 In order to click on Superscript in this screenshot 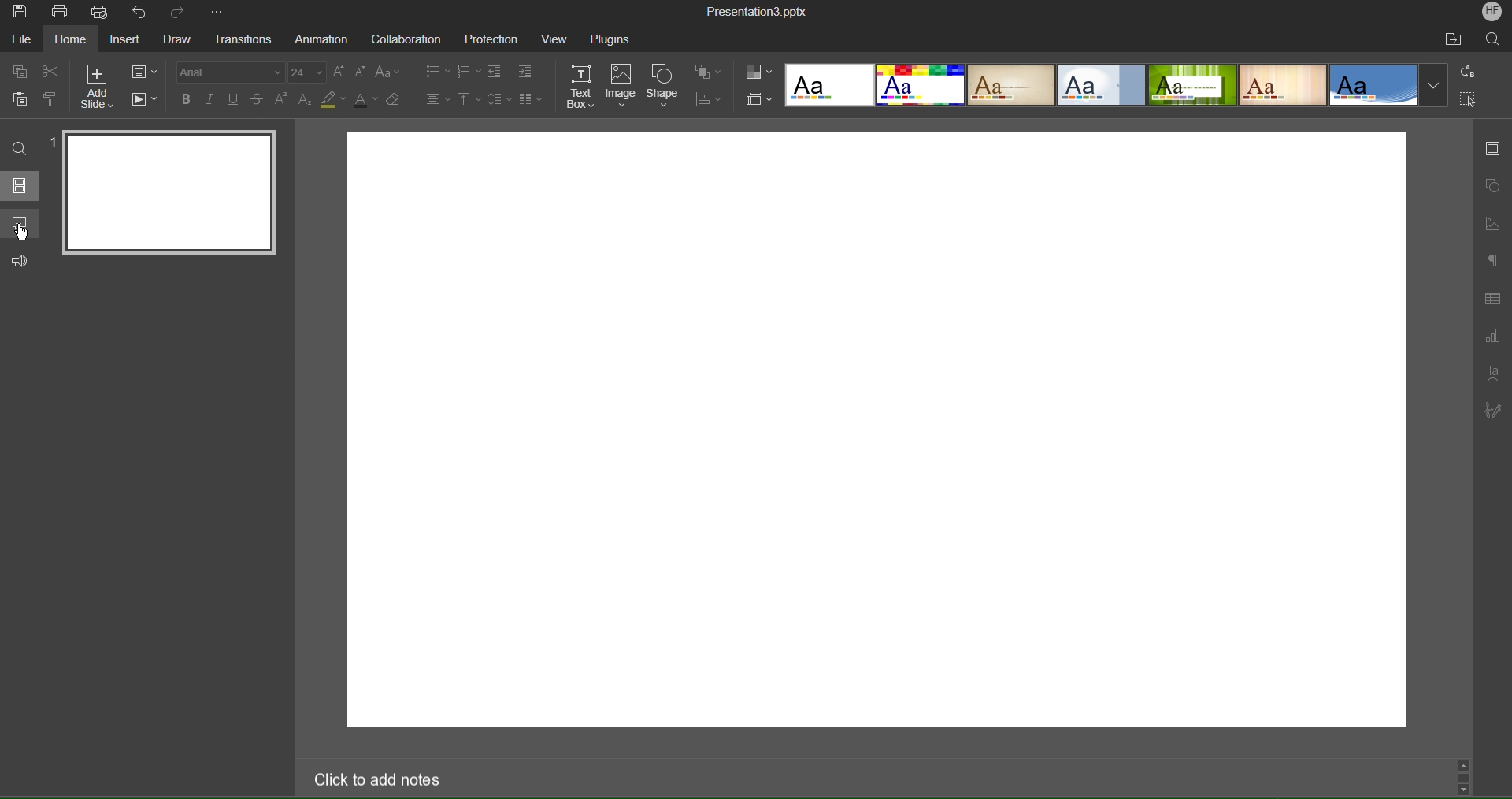, I will do `click(283, 100)`.